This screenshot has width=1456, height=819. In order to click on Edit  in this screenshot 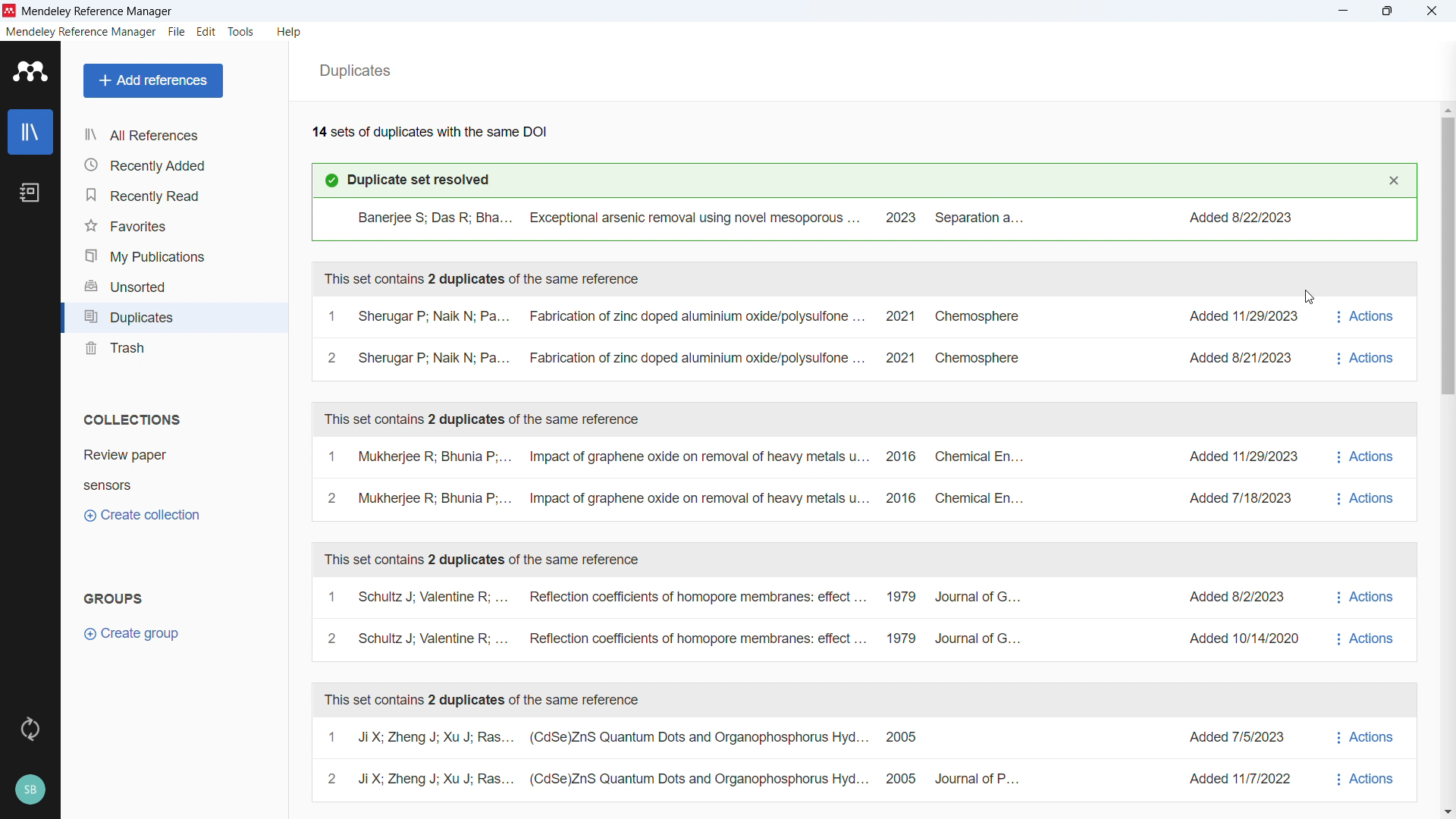, I will do `click(207, 32)`.